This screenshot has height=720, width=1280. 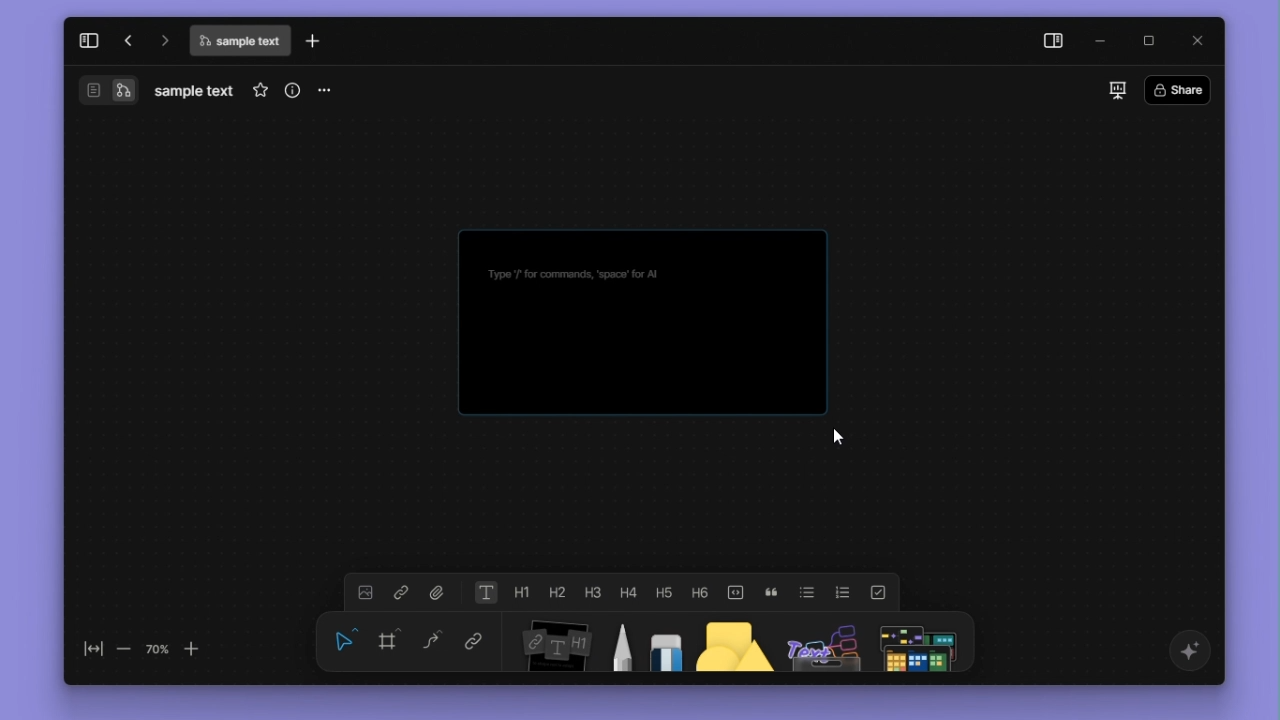 What do you see at coordinates (922, 642) in the screenshot?
I see `more shapes` at bounding box center [922, 642].